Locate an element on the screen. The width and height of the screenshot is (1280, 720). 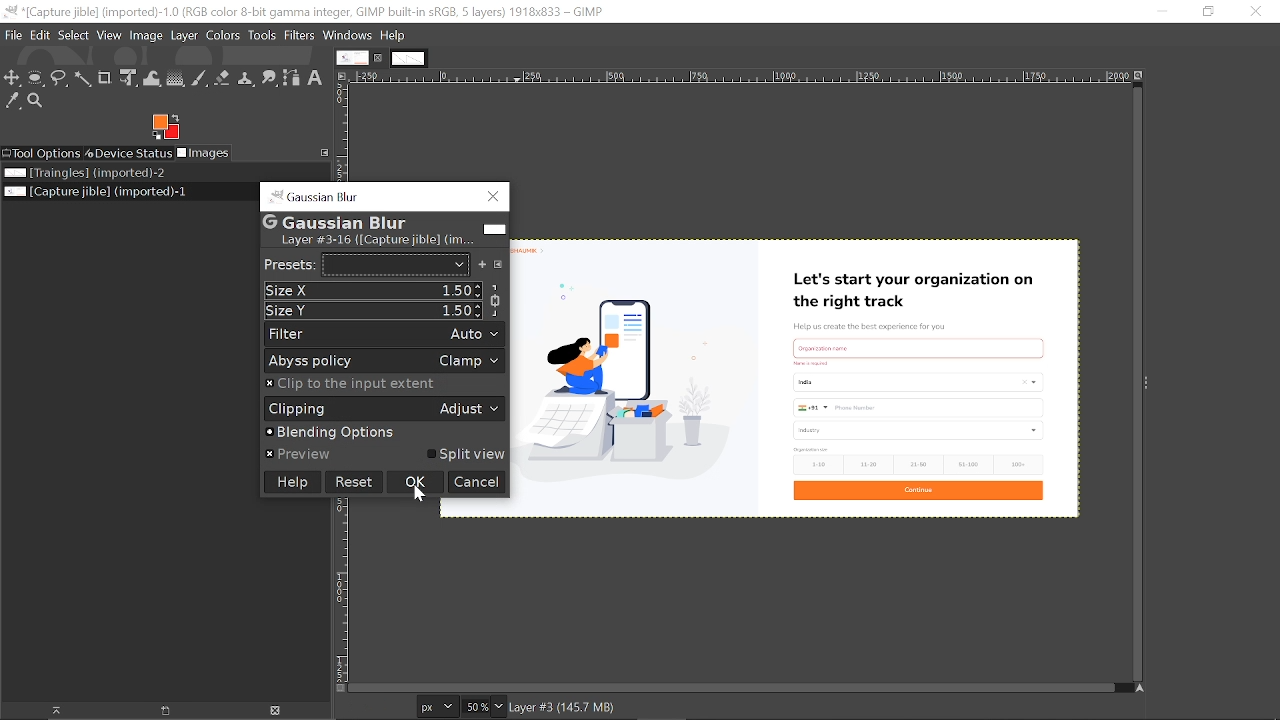
Eraser tool is located at coordinates (222, 78).